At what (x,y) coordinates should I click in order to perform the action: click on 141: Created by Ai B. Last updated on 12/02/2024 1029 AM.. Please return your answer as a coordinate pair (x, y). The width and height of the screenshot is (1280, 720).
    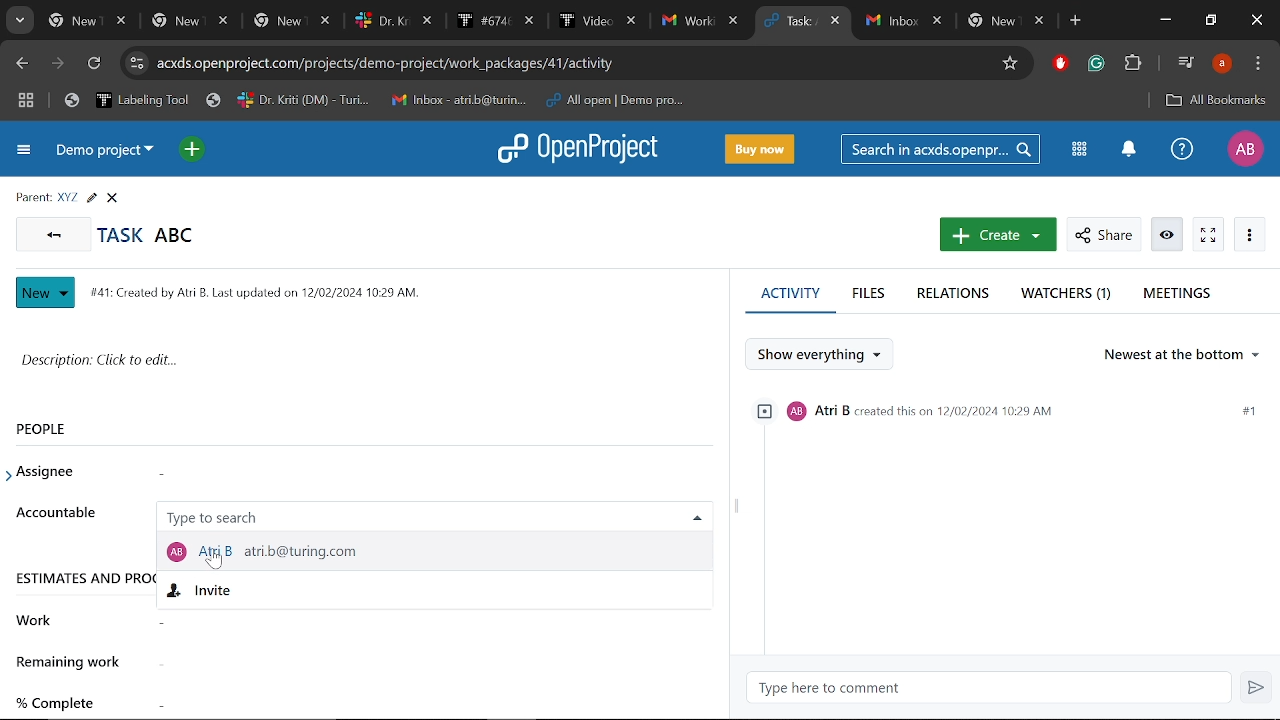
    Looking at the image, I should click on (265, 290).